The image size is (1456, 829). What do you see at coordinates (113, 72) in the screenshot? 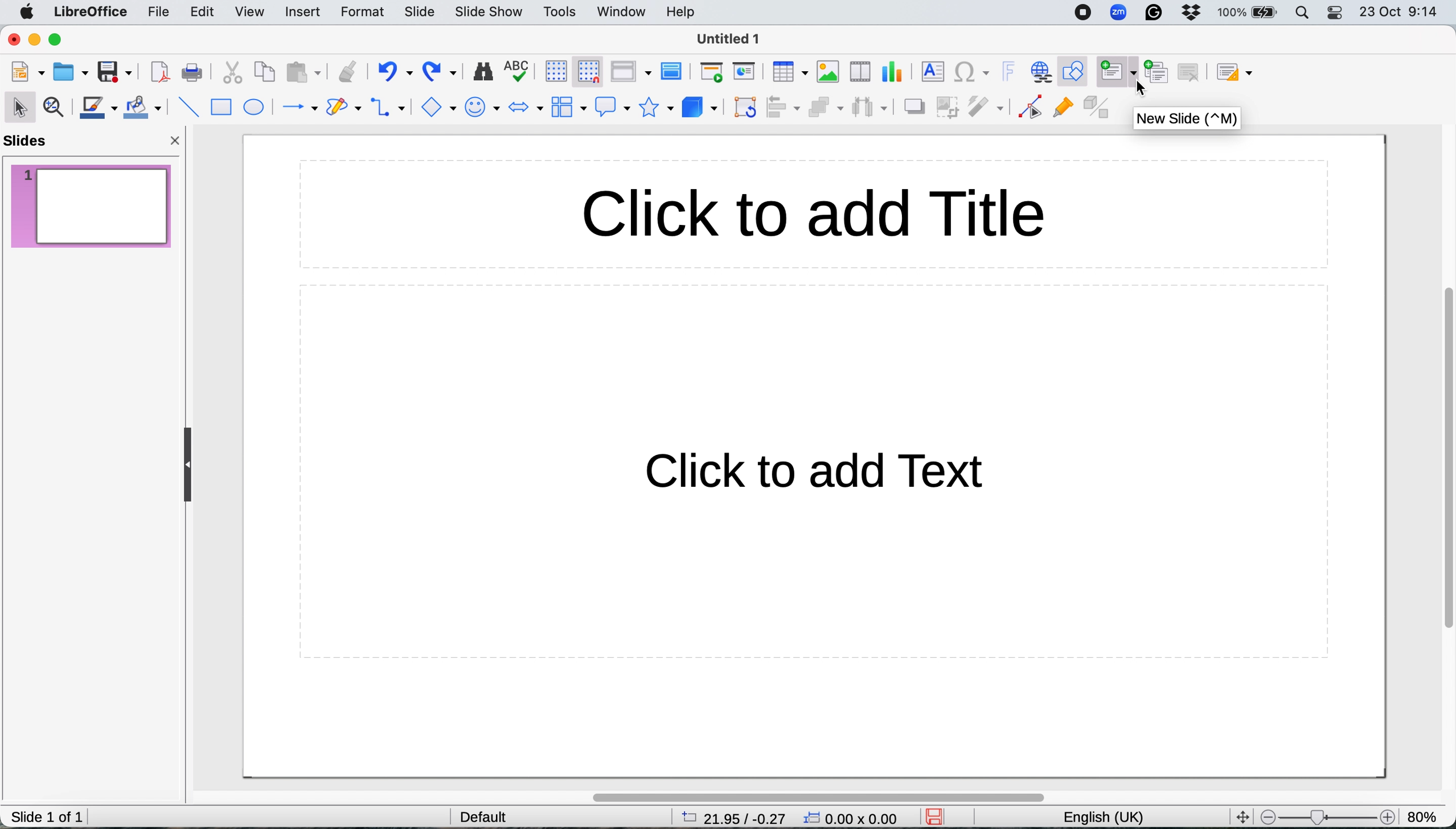
I see `save` at bounding box center [113, 72].